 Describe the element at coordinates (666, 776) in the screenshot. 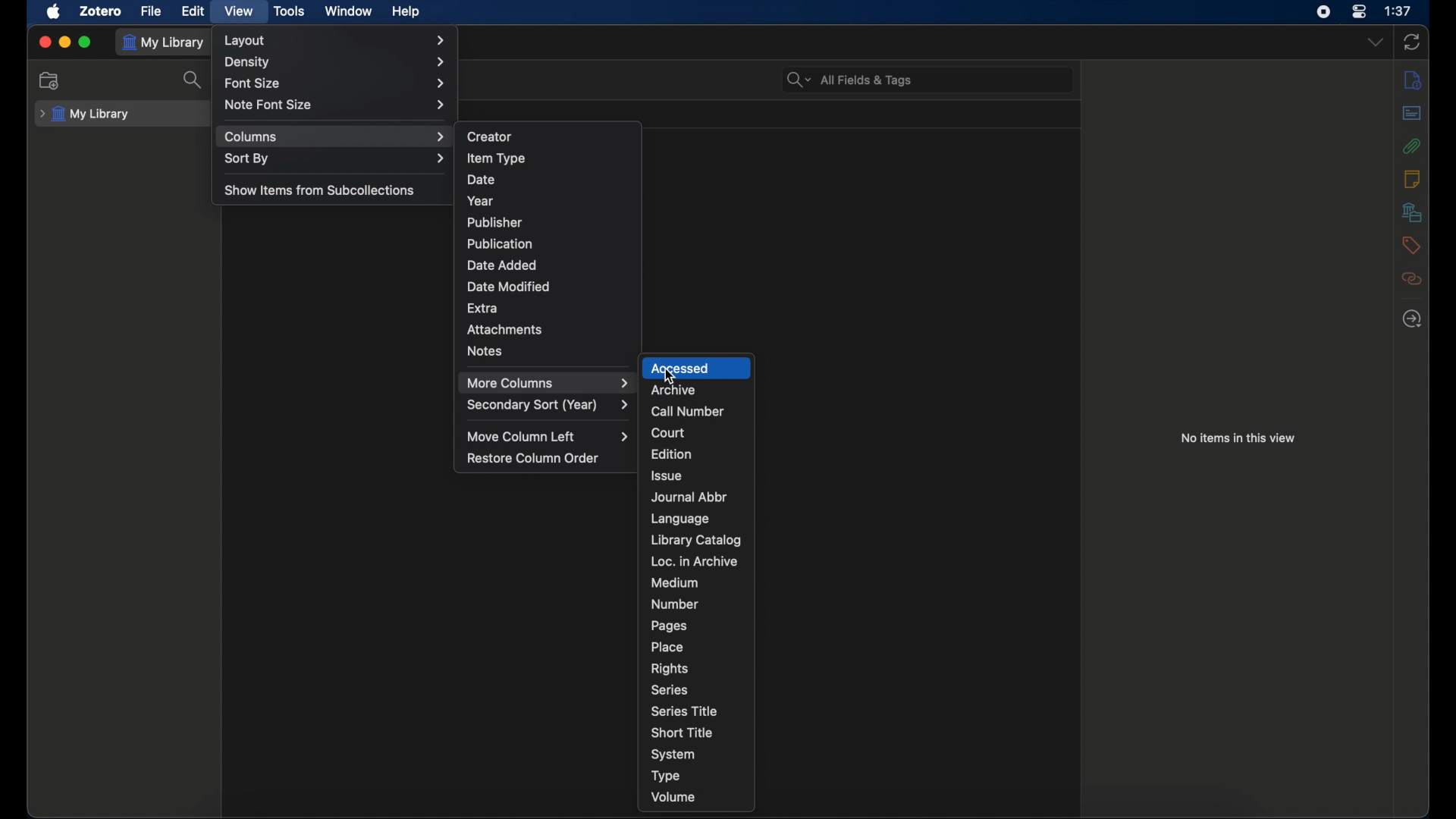

I see `type` at that location.